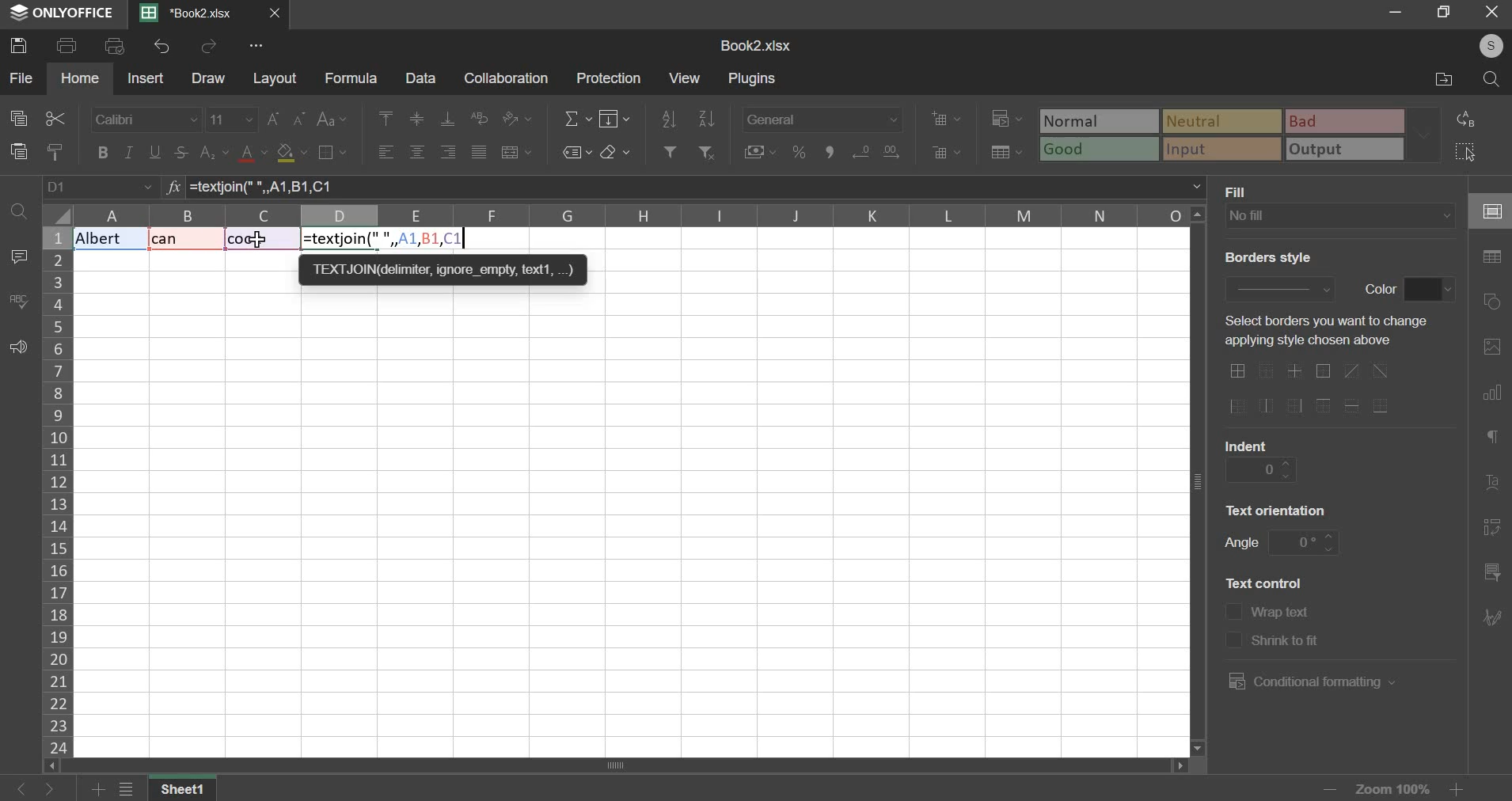  What do you see at coordinates (351, 79) in the screenshot?
I see `formula` at bounding box center [351, 79].